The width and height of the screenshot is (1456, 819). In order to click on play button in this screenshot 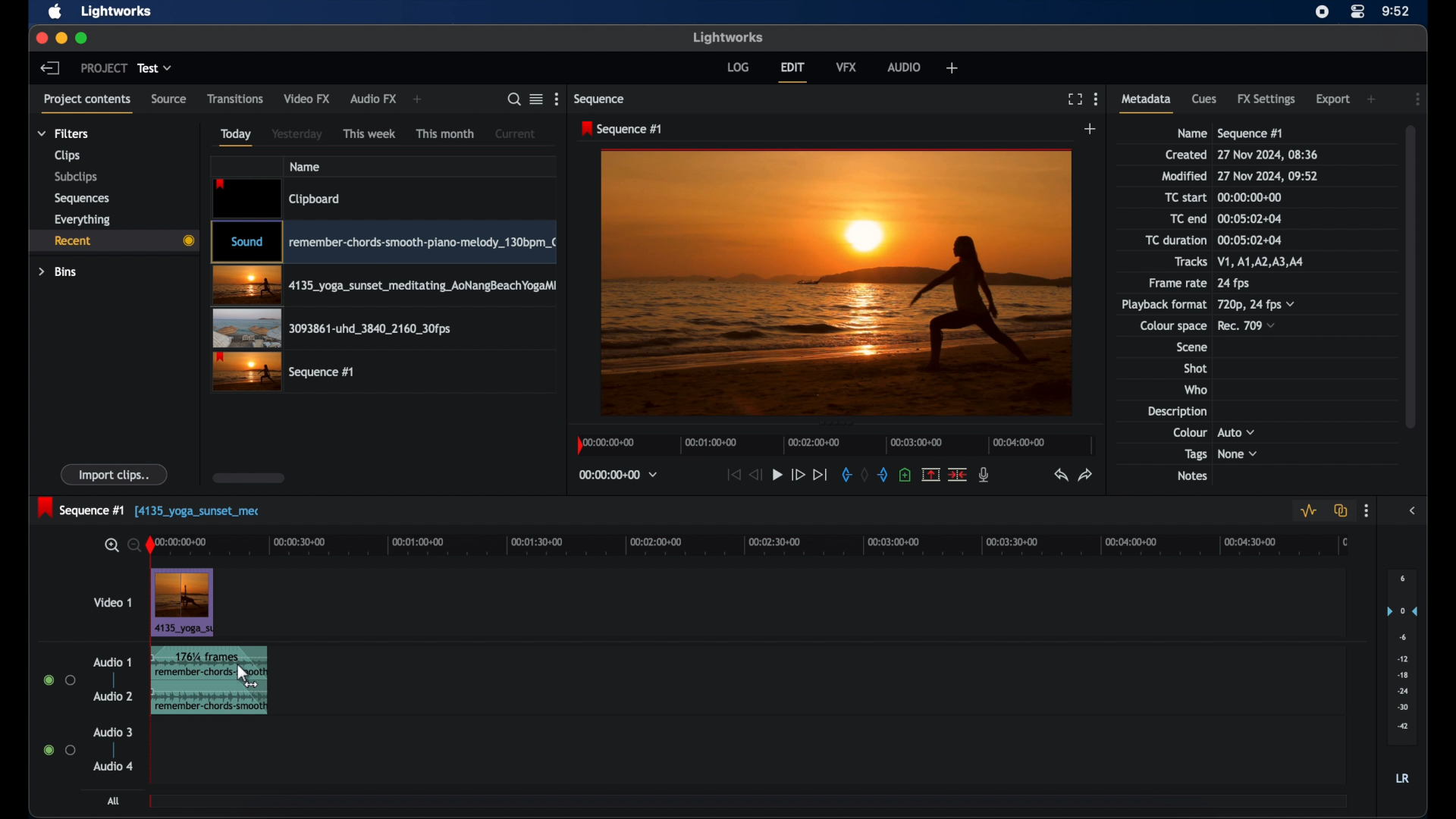, I will do `click(777, 474)`.